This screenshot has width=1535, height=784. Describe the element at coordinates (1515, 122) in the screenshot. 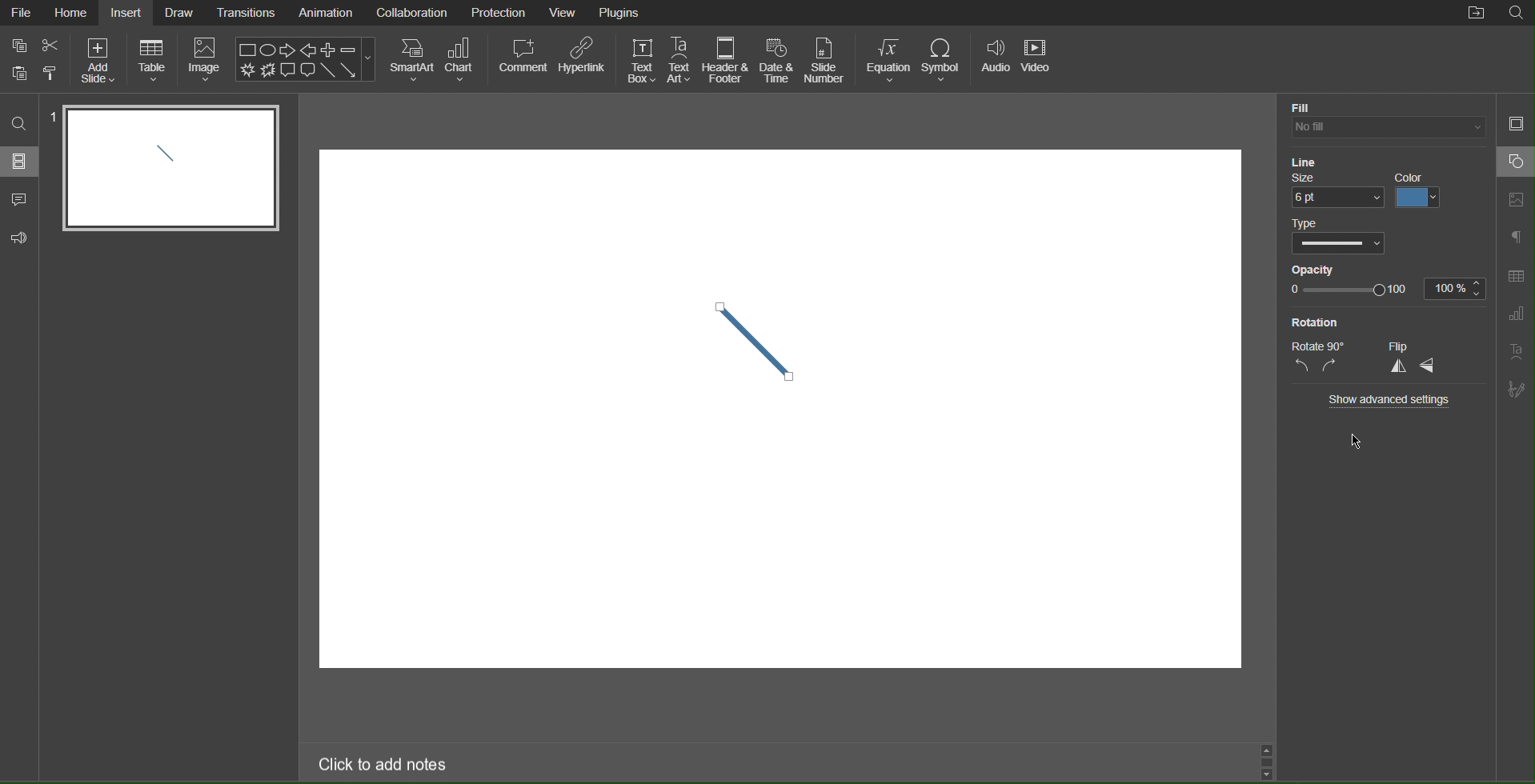

I see `Slide Settings` at that location.